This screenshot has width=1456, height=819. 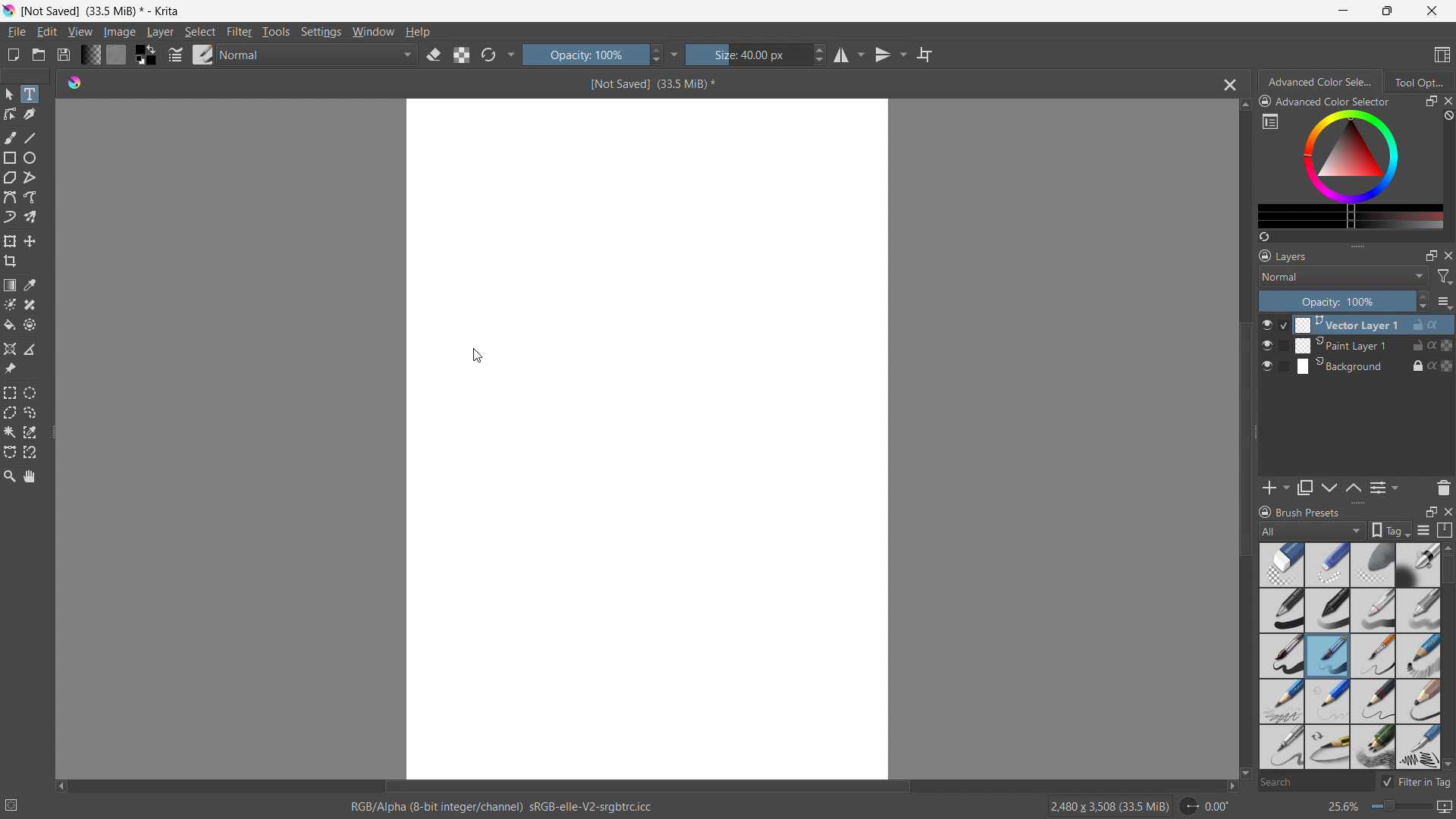 What do you see at coordinates (11, 158) in the screenshot?
I see `rectangle tool` at bounding box center [11, 158].